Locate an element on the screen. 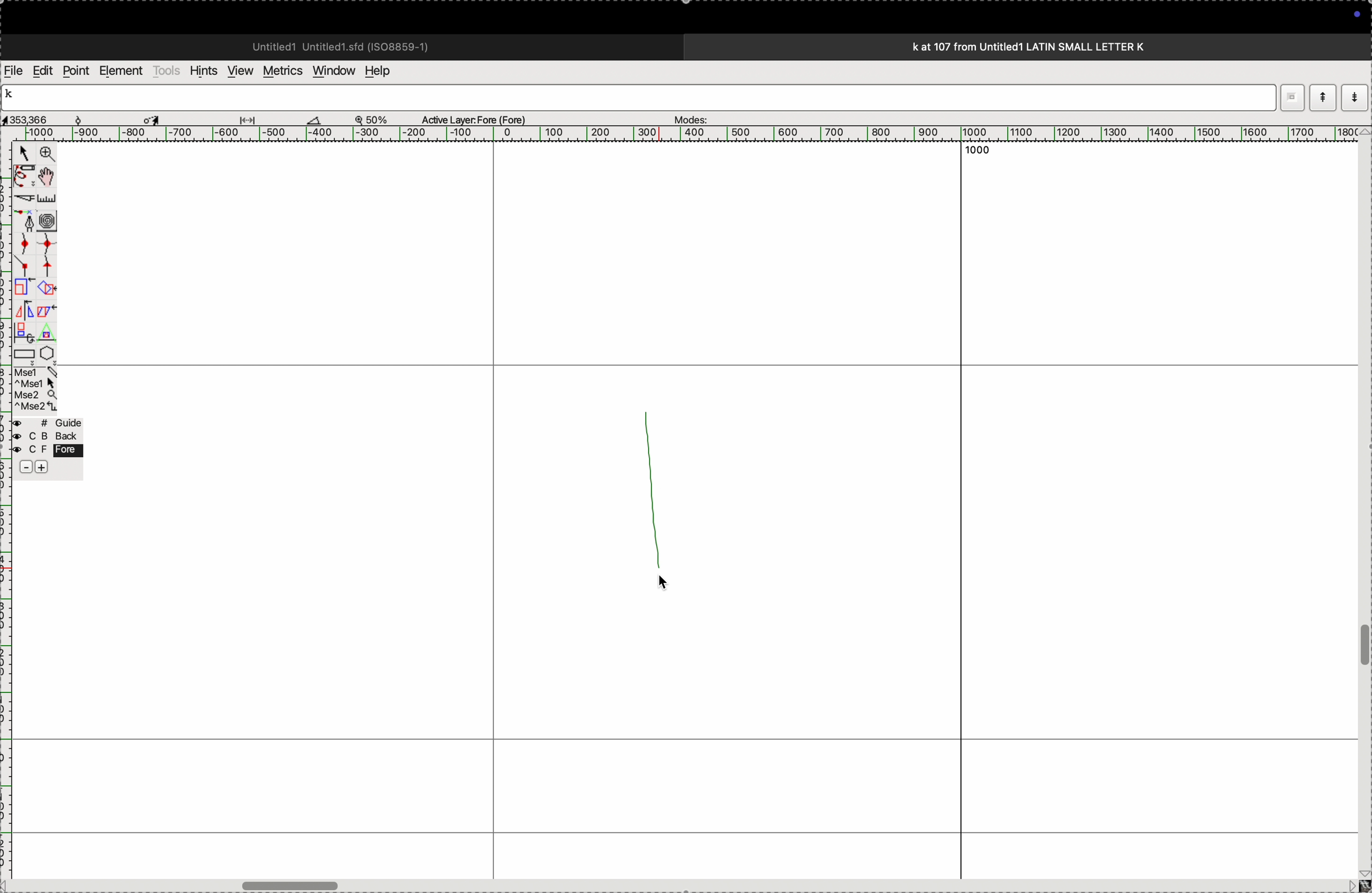 This screenshot has height=893, width=1372. mse is located at coordinates (36, 390).